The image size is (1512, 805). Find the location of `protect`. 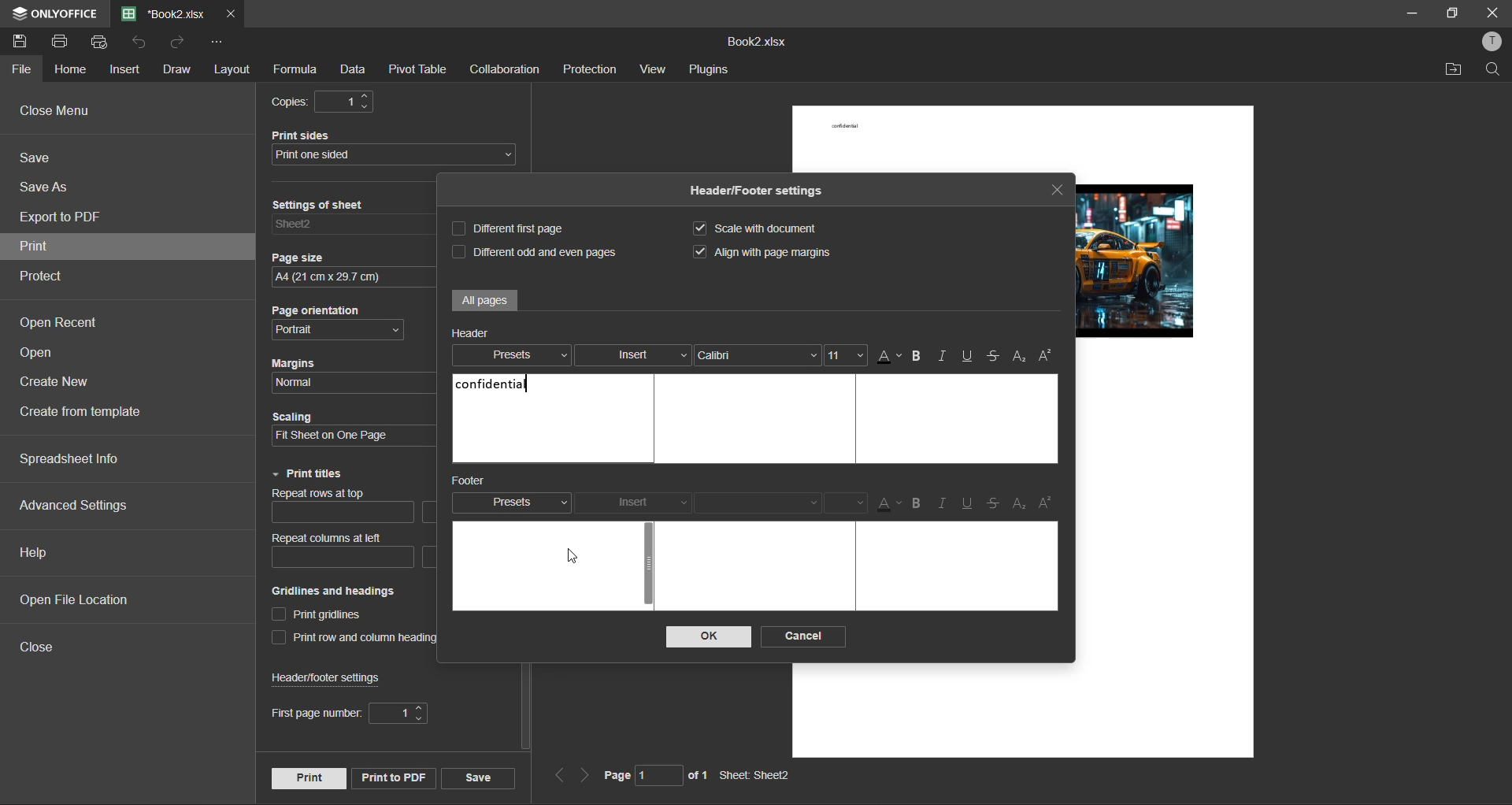

protect is located at coordinates (46, 277).